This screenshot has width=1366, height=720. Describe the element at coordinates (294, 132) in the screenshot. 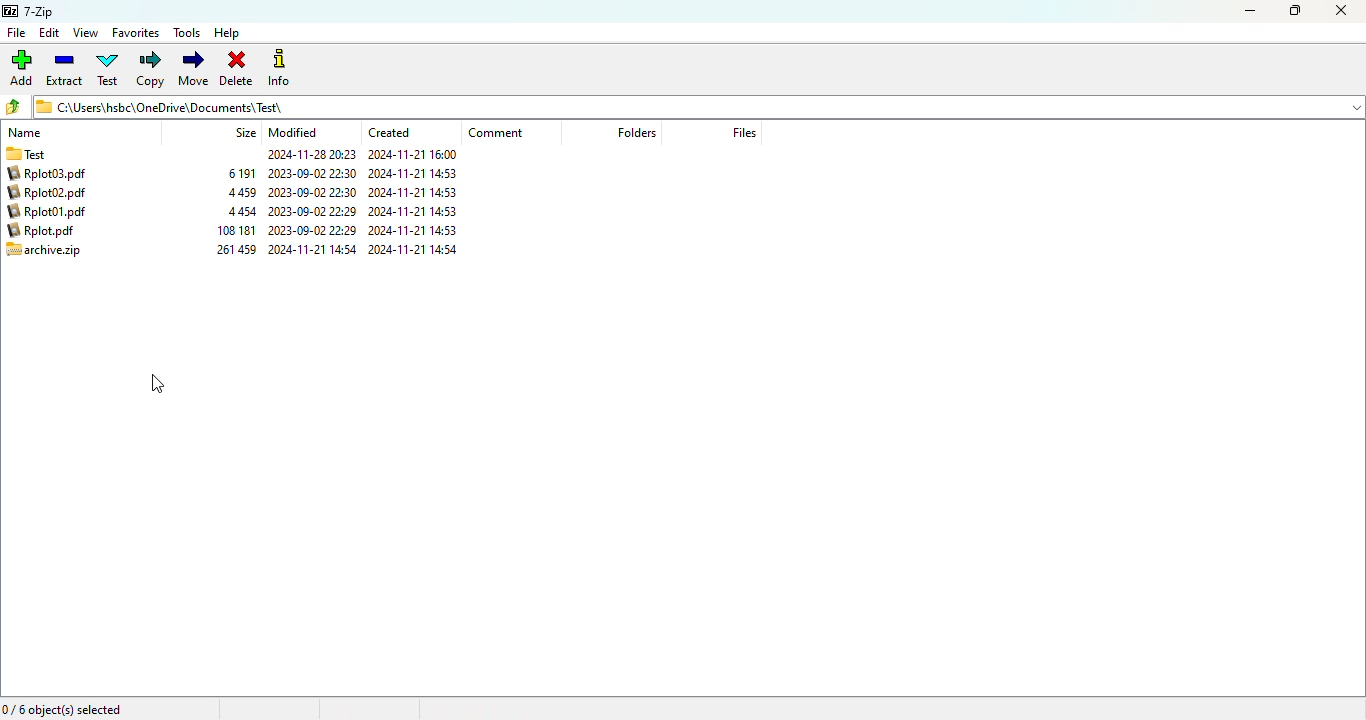

I see `modified` at that location.